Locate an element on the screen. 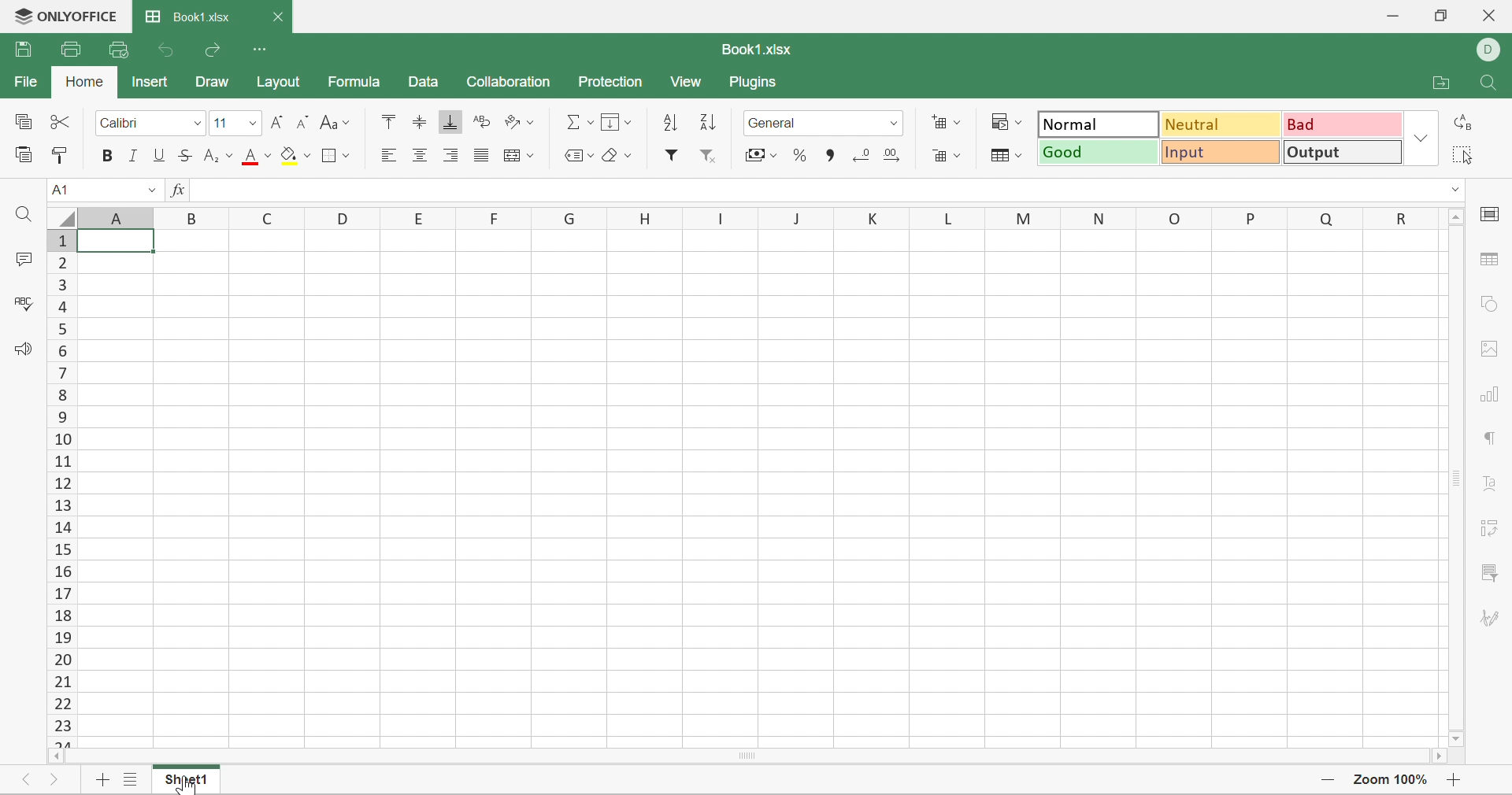 Image resolution: width=1512 pixels, height=795 pixels. Neutral is located at coordinates (1223, 124).